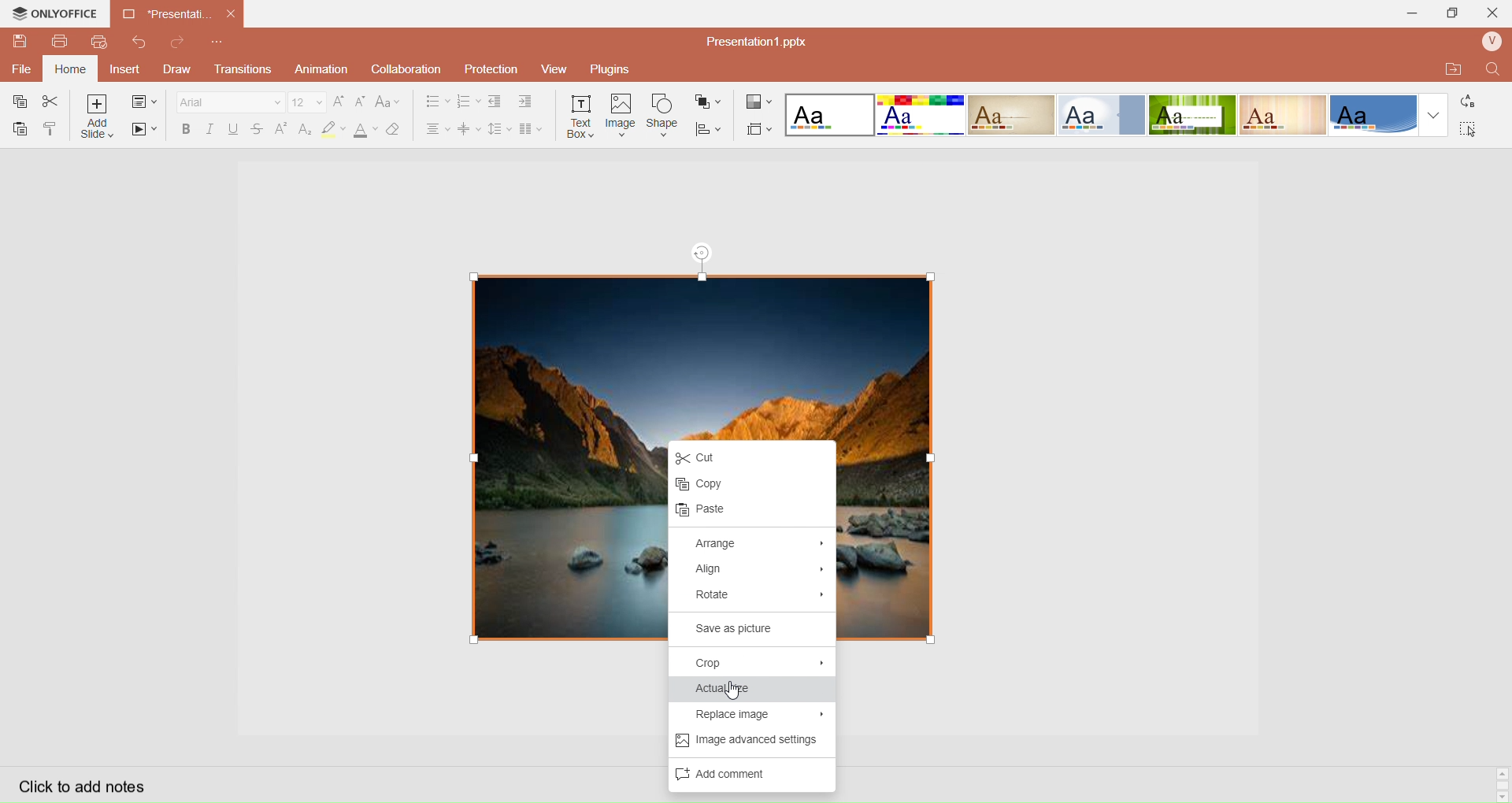 Image resolution: width=1512 pixels, height=803 pixels. What do you see at coordinates (621, 117) in the screenshot?
I see `Insert Image` at bounding box center [621, 117].